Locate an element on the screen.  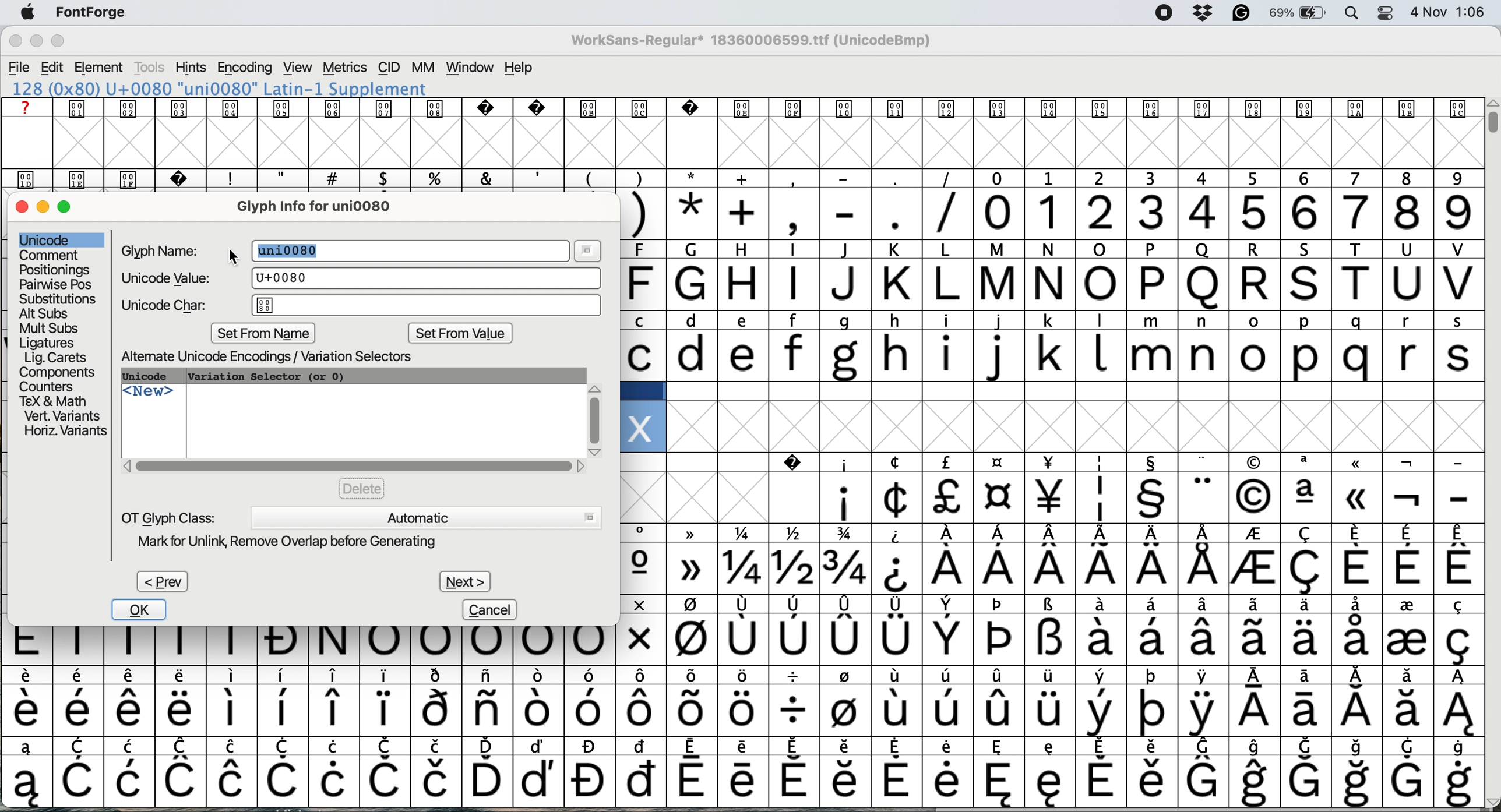
fontforge is located at coordinates (96, 15).